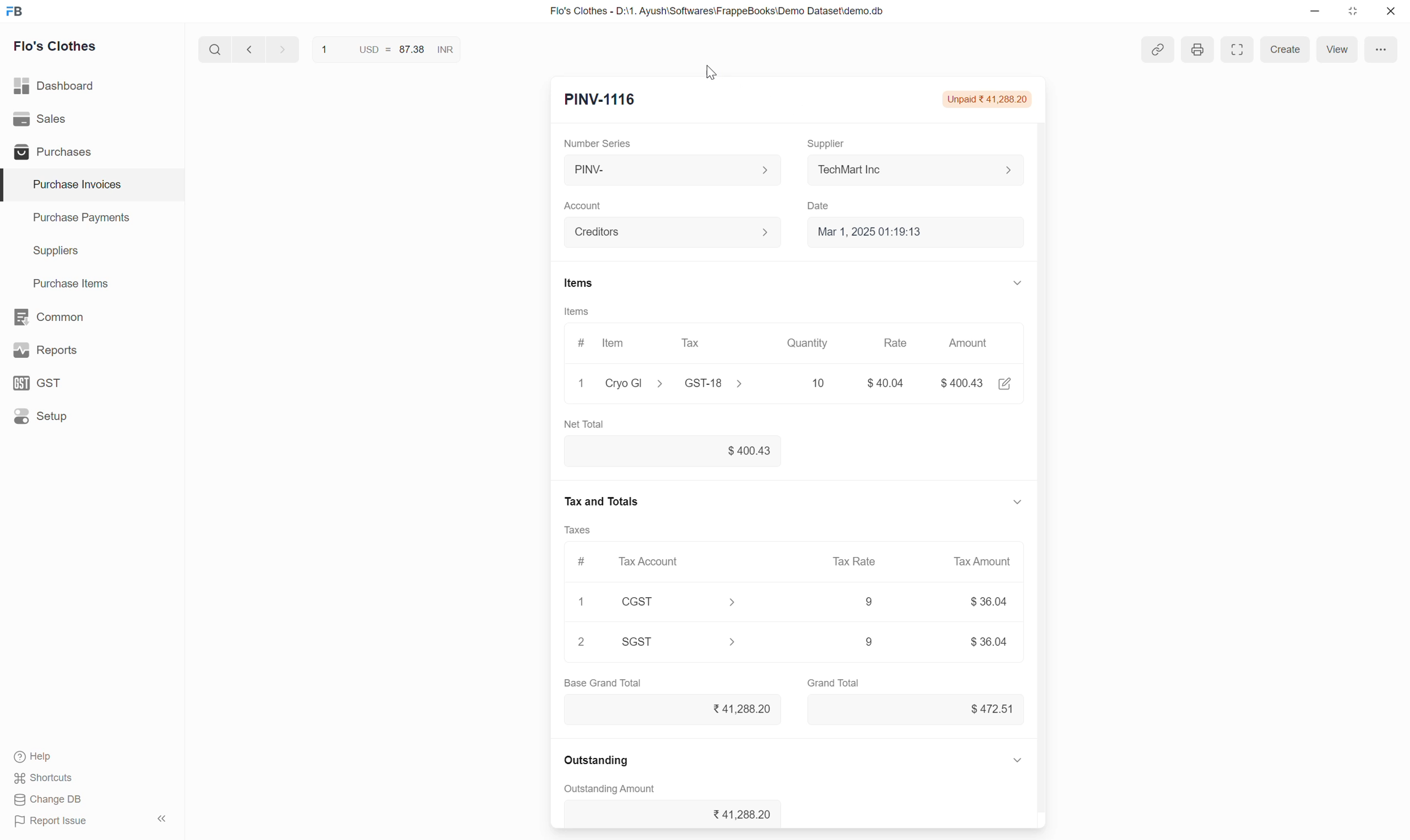  What do you see at coordinates (990, 100) in the screenshot?
I see `Unpaid % 41,288.20` at bounding box center [990, 100].